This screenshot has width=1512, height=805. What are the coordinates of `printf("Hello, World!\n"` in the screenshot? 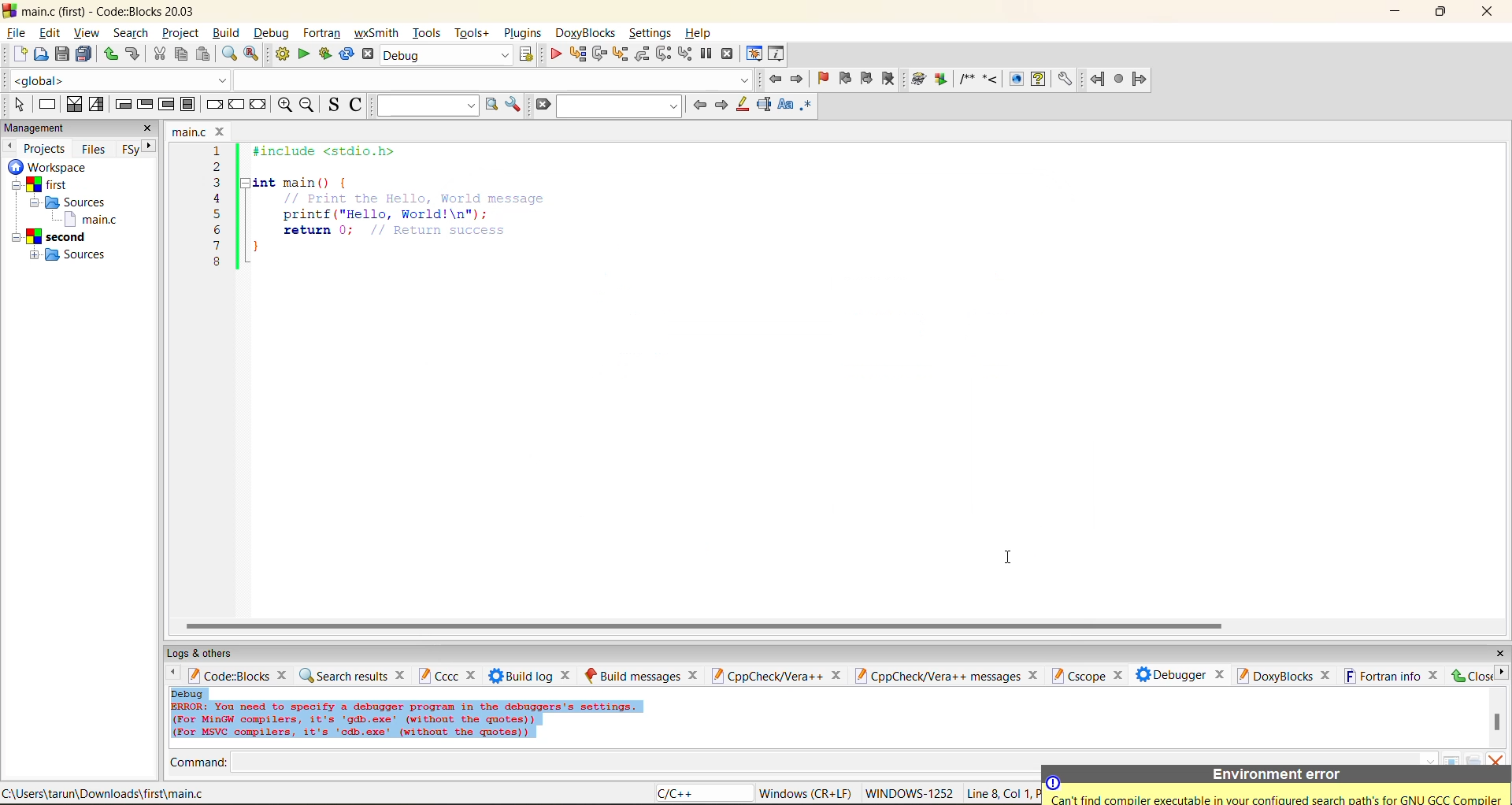 It's located at (388, 213).